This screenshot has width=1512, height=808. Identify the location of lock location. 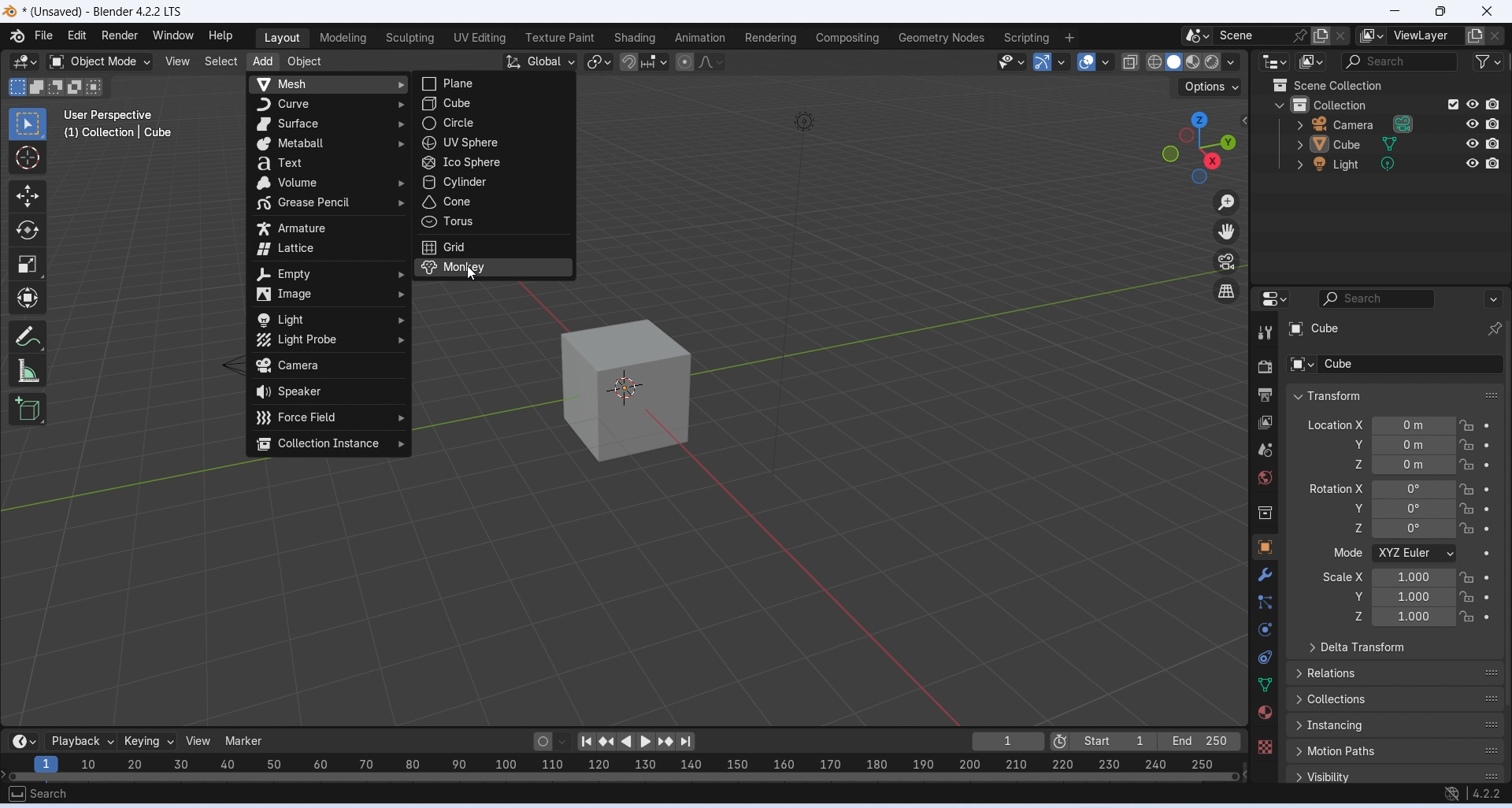
(1468, 509).